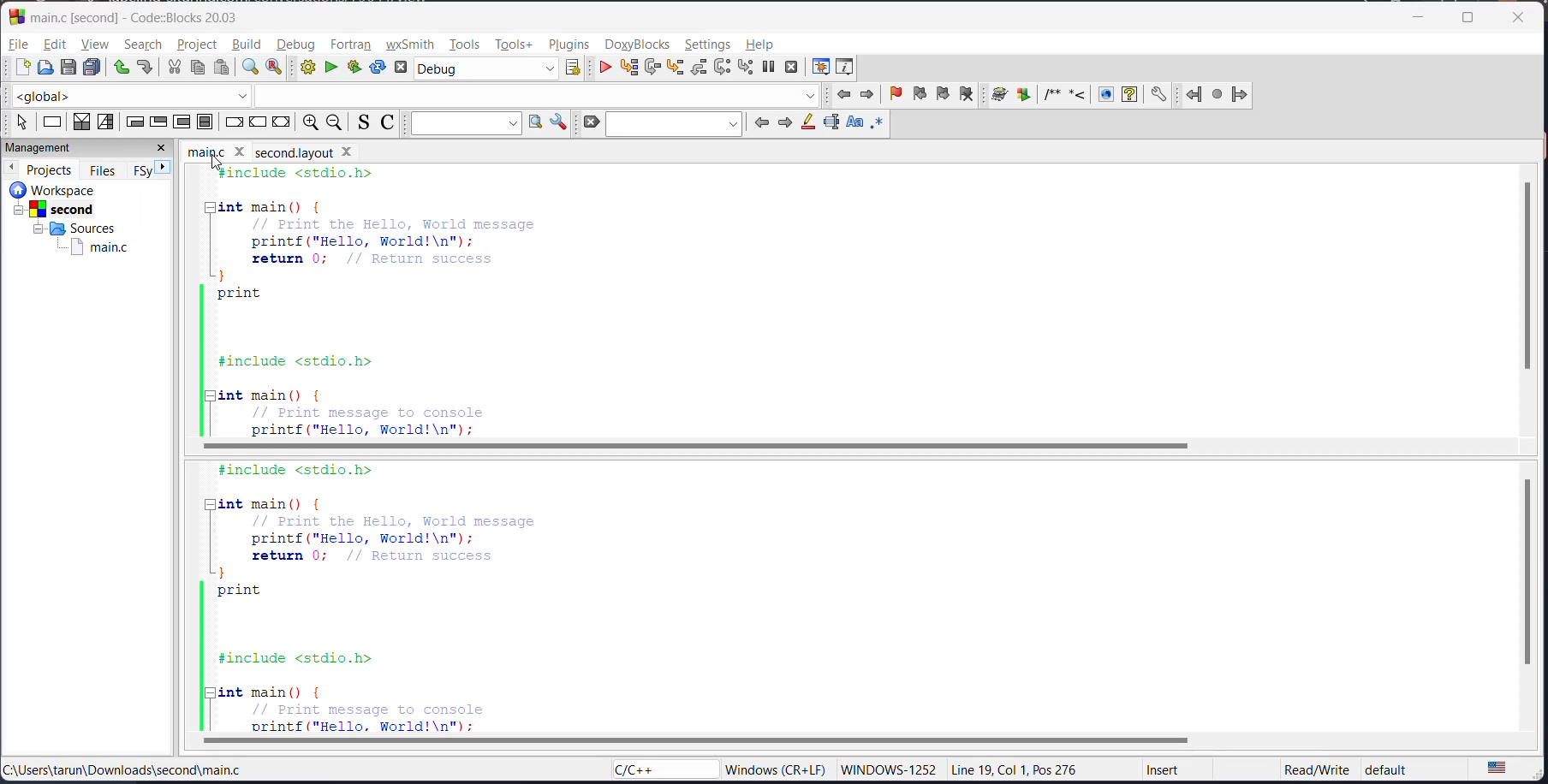  I want to click on debug/continue, so click(604, 69).